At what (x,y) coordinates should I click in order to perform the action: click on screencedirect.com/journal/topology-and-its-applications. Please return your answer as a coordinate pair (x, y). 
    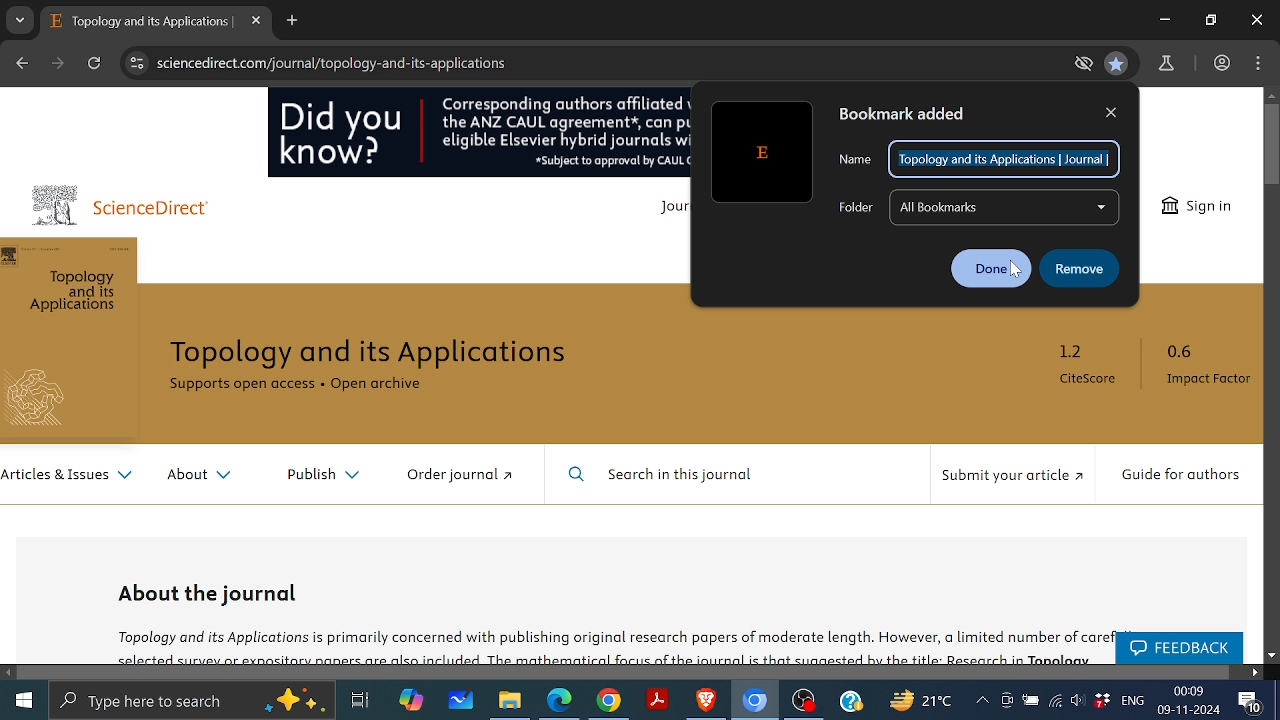
    Looking at the image, I should click on (341, 64).